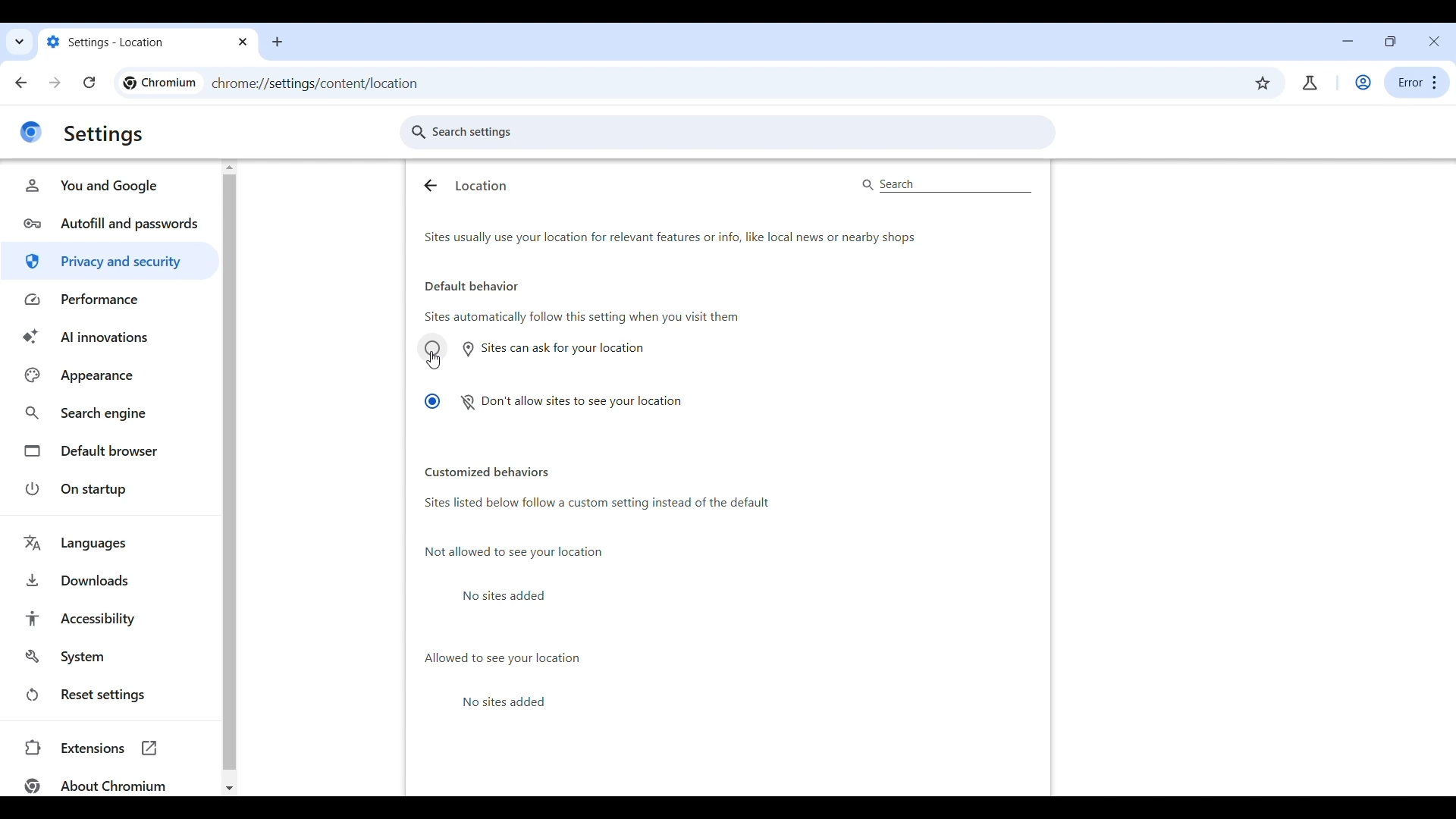 The height and width of the screenshot is (819, 1456). What do you see at coordinates (244, 42) in the screenshot?
I see `Close current tab` at bounding box center [244, 42].